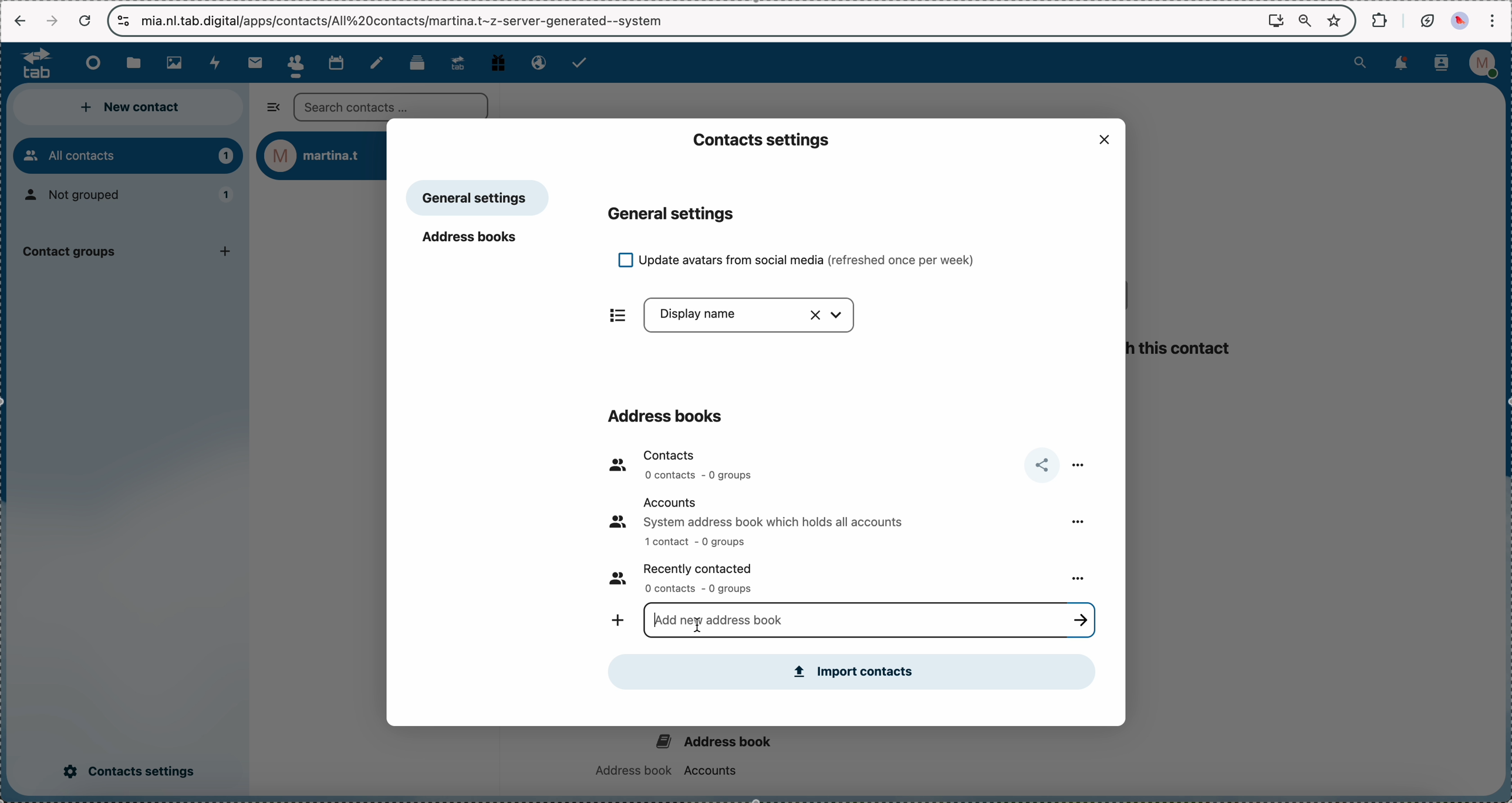 The height and width of the screenshot is (803, 1512). Describe the element at coordinates (127, 156) in the screenshot. I see `all contacts` at that location.